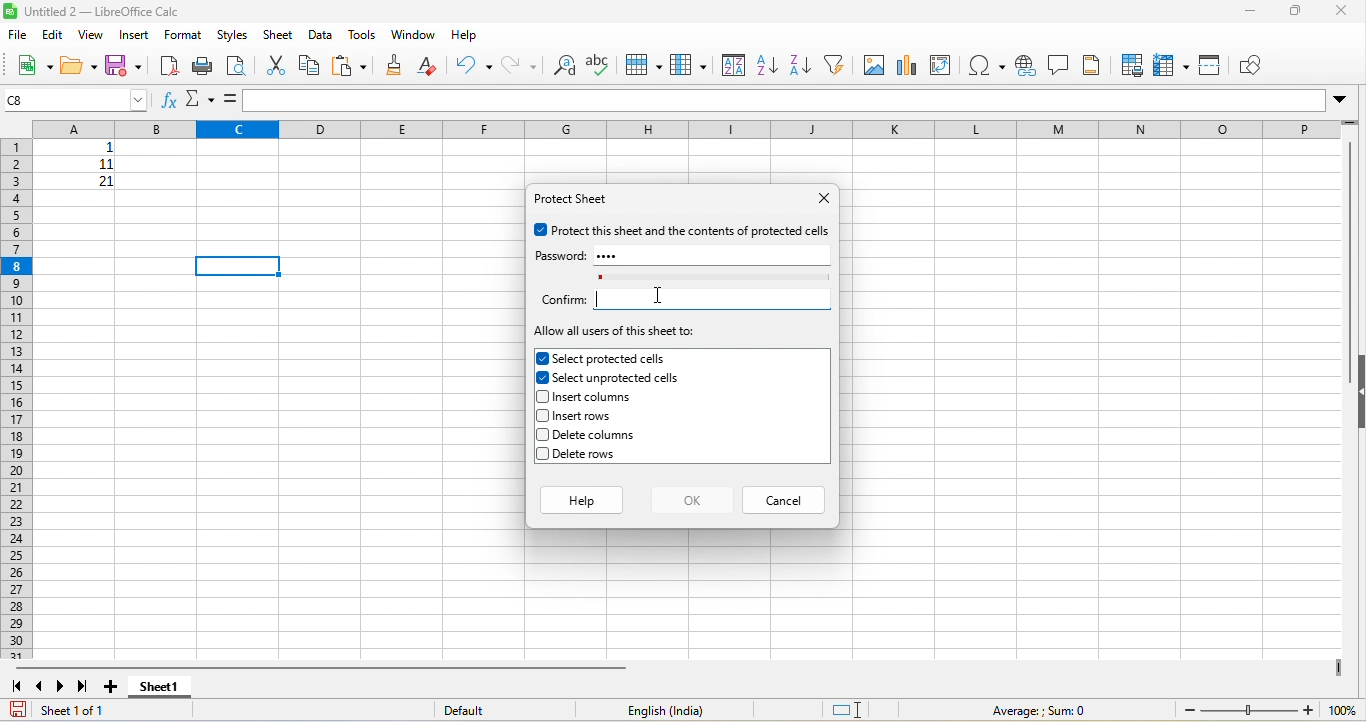 This screenshot has width=1366, height=722. I want to click on english, so click(678, 710).